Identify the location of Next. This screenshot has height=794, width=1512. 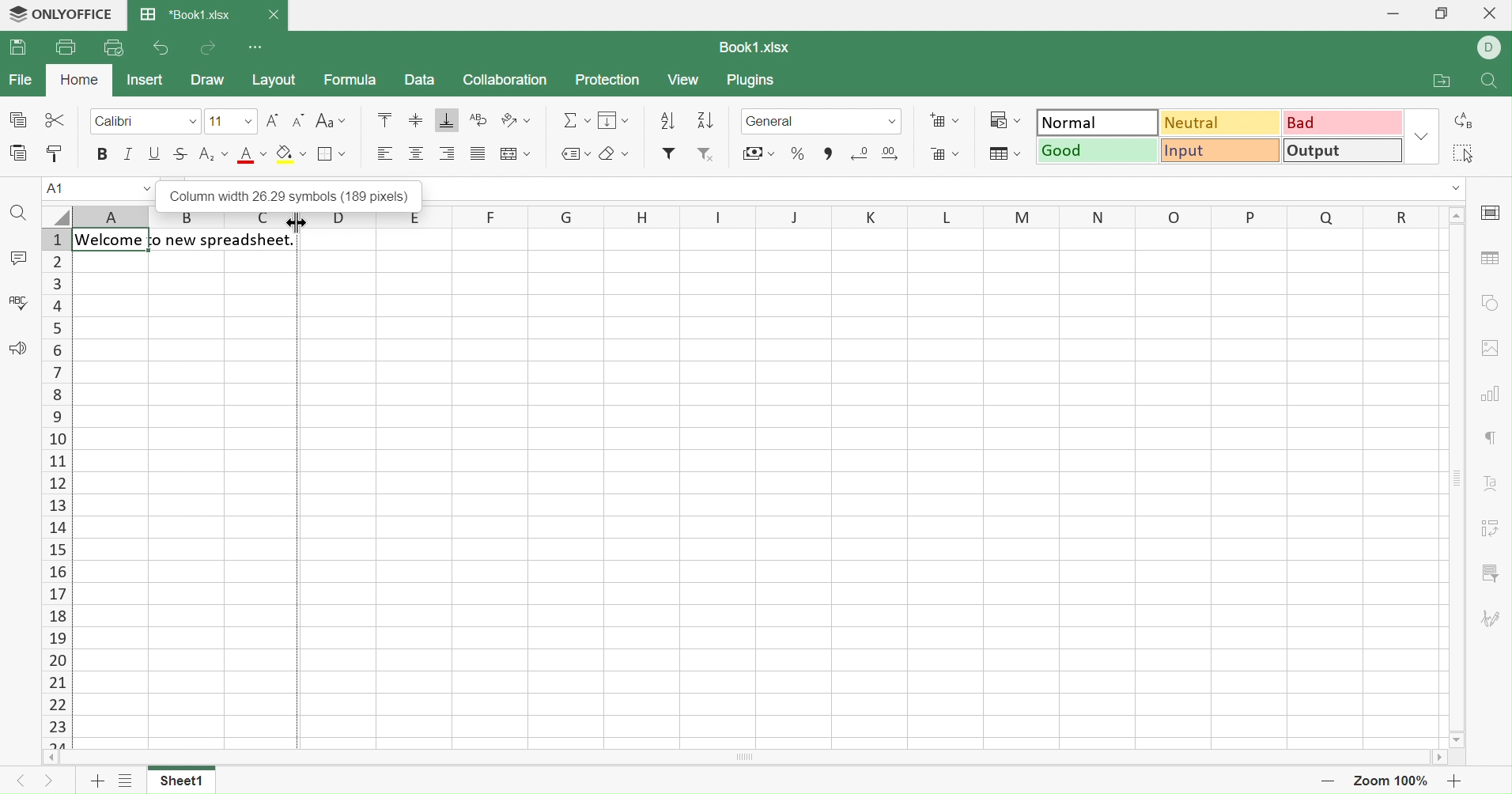
(54, 782).